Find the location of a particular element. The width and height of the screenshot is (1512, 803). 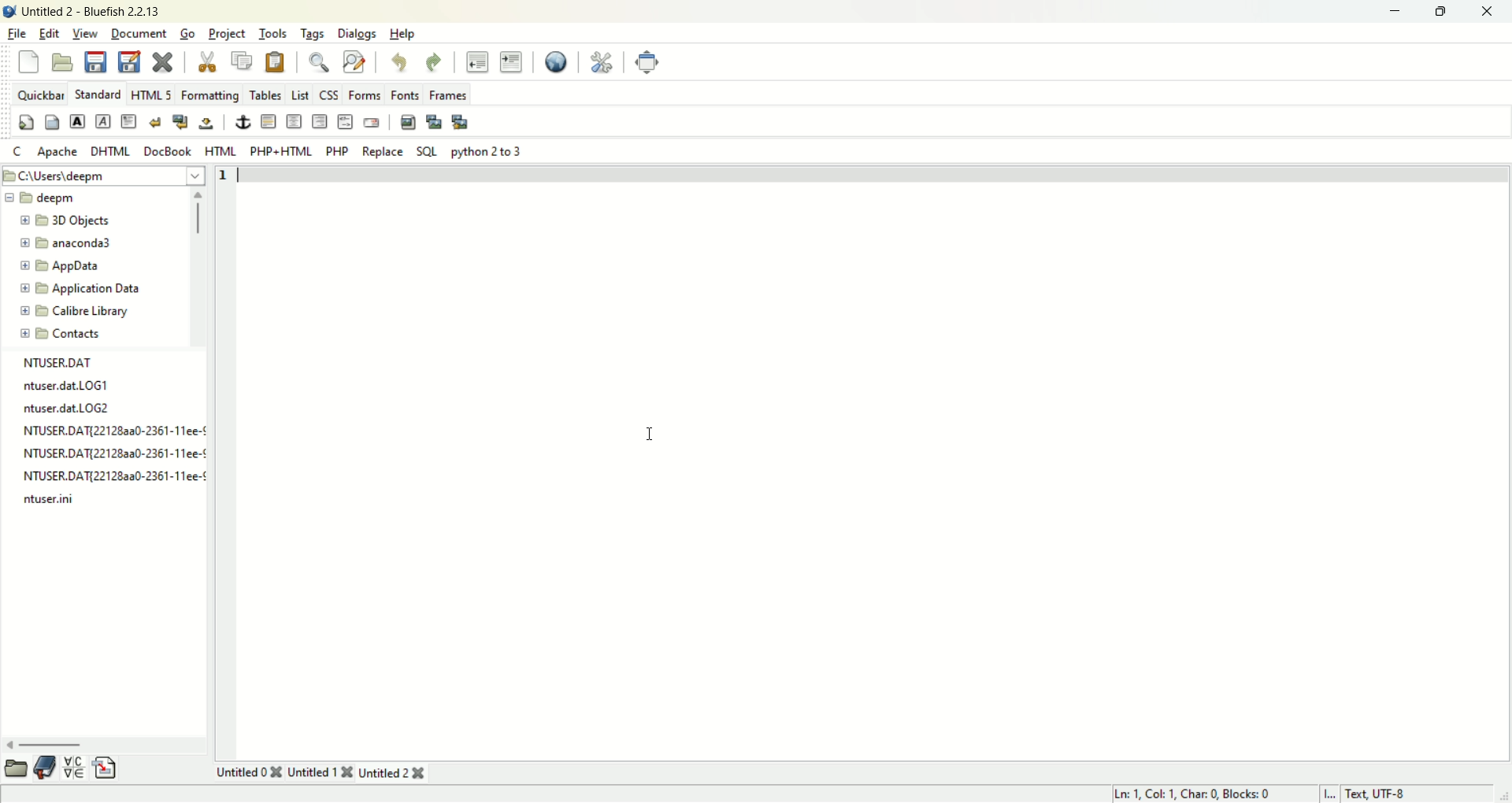

frames is located at coordinates (449, 94).